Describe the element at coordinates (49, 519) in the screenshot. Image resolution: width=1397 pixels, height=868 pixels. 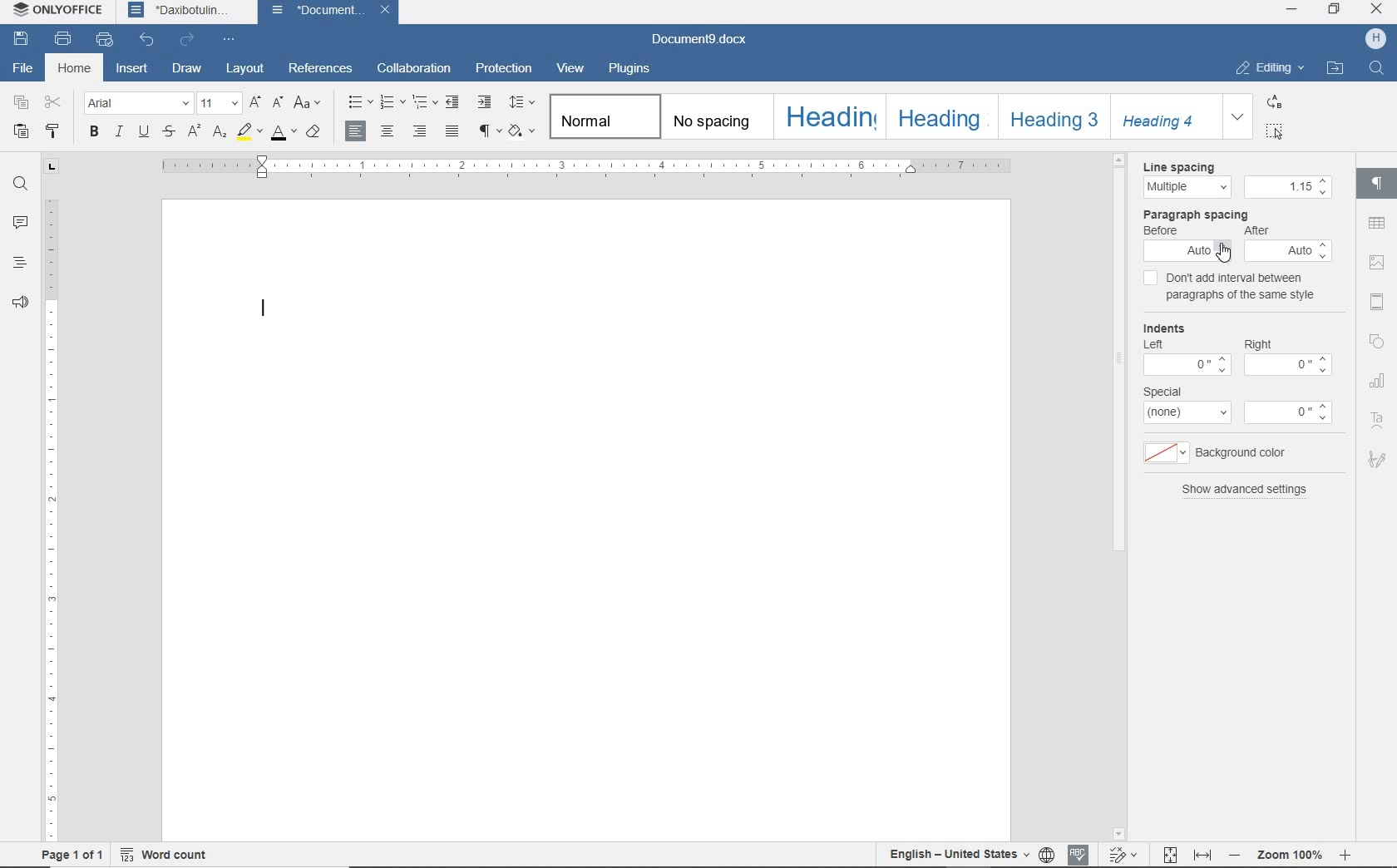
I see `ruler` at that location.